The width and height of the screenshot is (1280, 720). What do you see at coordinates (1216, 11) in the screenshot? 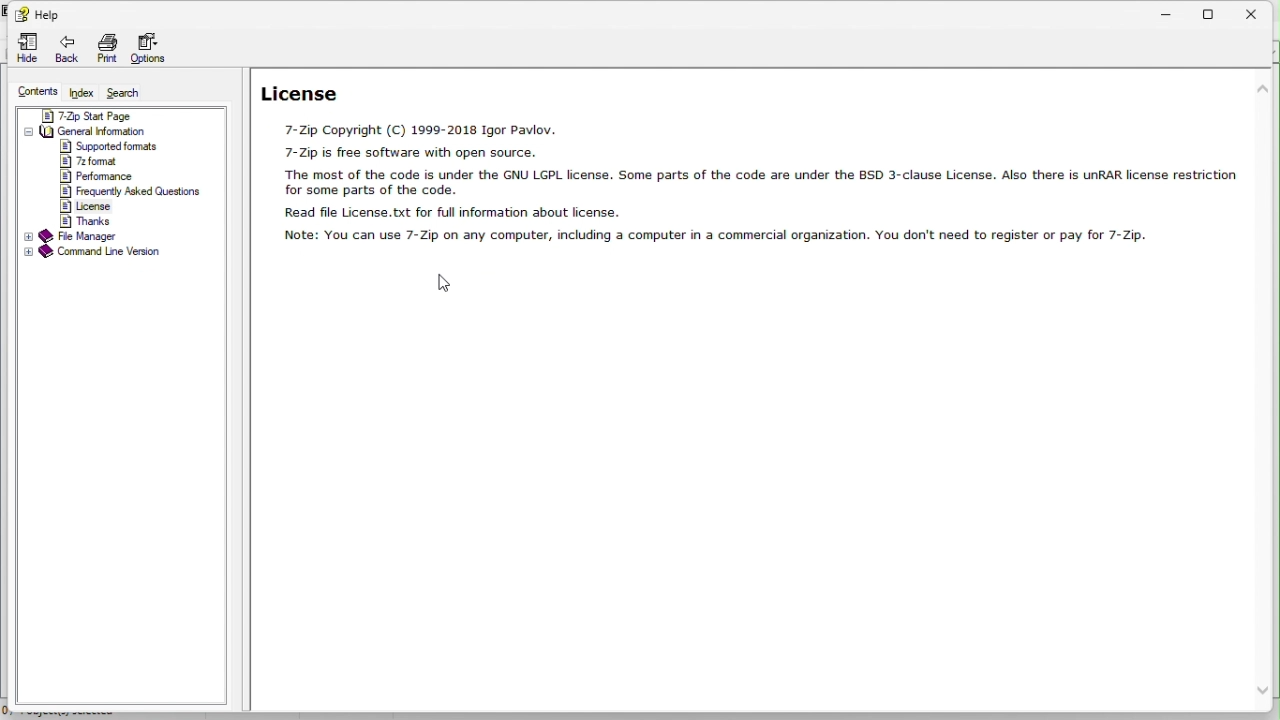
I see `restore` at bounding box center [1216, 11].